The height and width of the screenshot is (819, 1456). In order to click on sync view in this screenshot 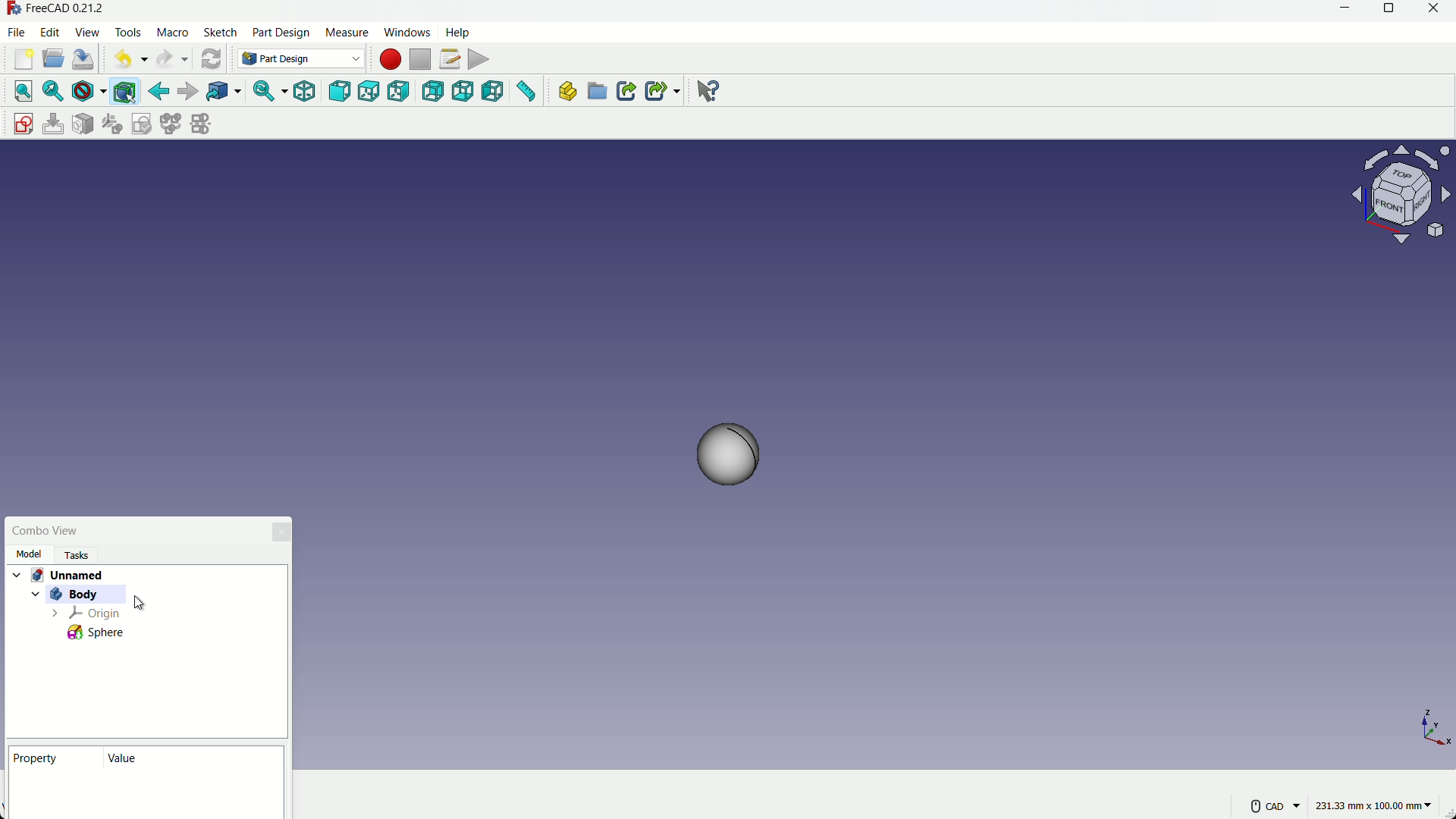, I will do `click(262, 92)`.